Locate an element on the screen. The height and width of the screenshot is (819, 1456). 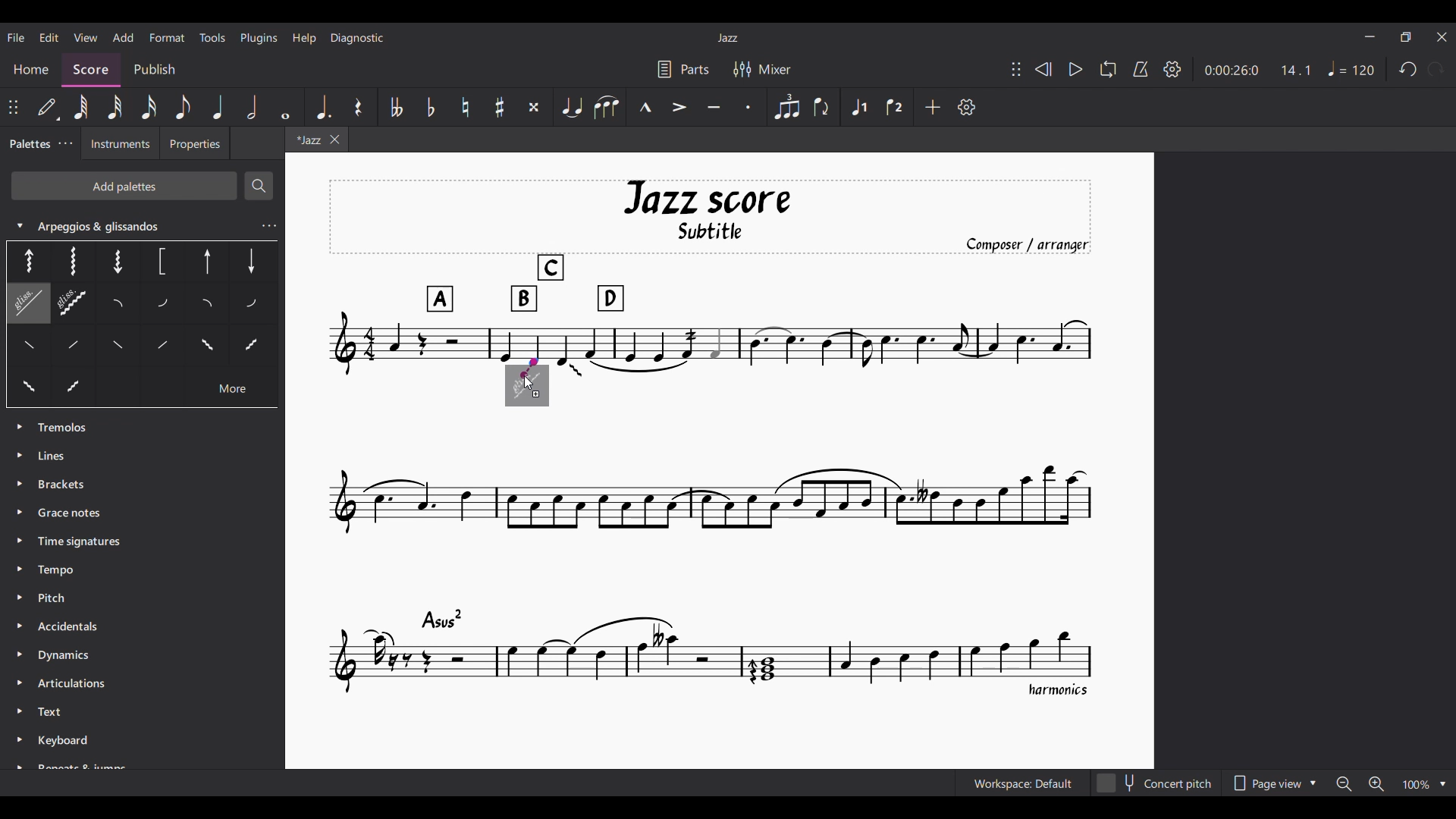
Palate 16 is located at coordinates (204, 348).